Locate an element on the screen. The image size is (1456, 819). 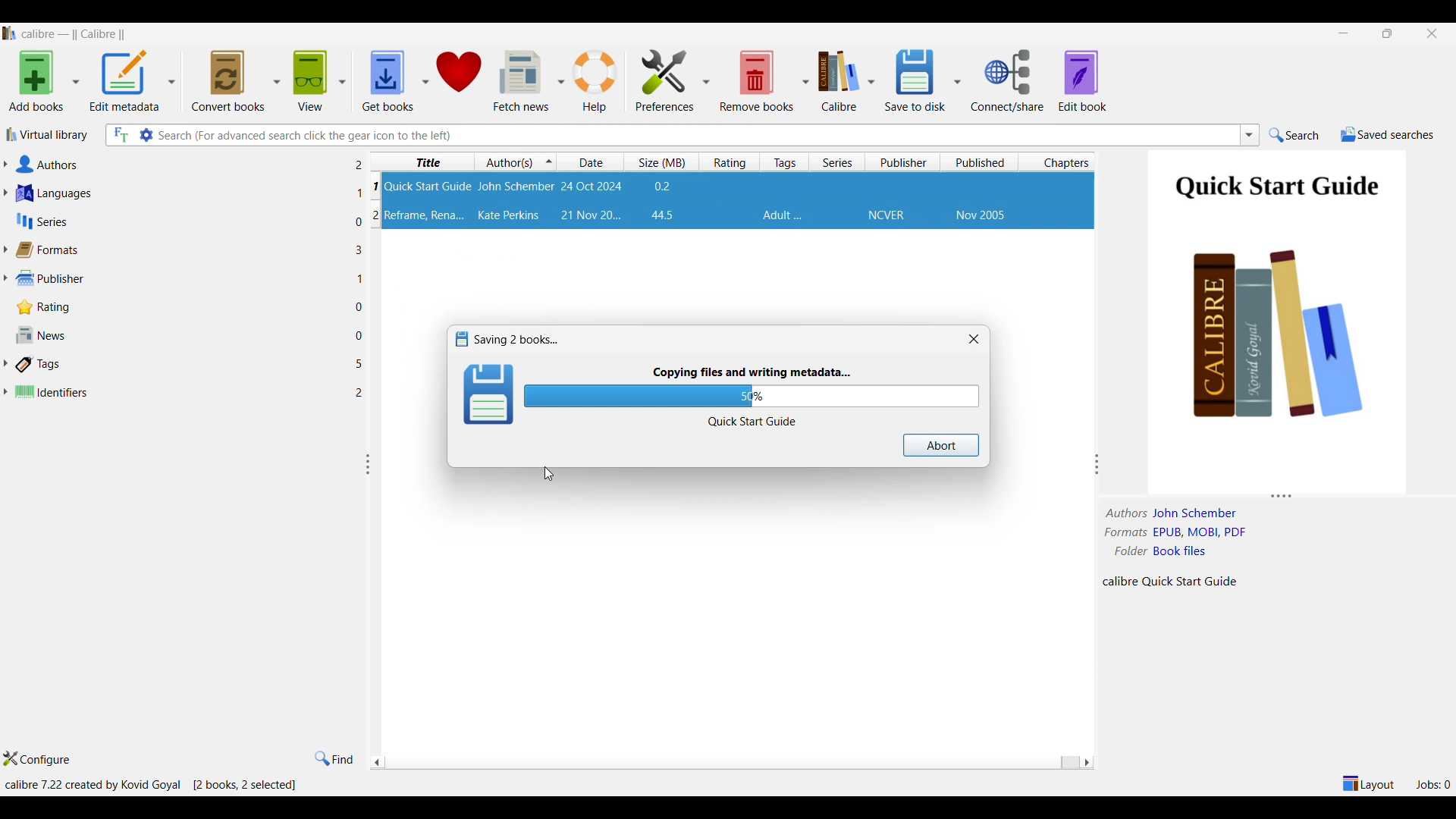
Close pop up is located at coordinates (974, 338).